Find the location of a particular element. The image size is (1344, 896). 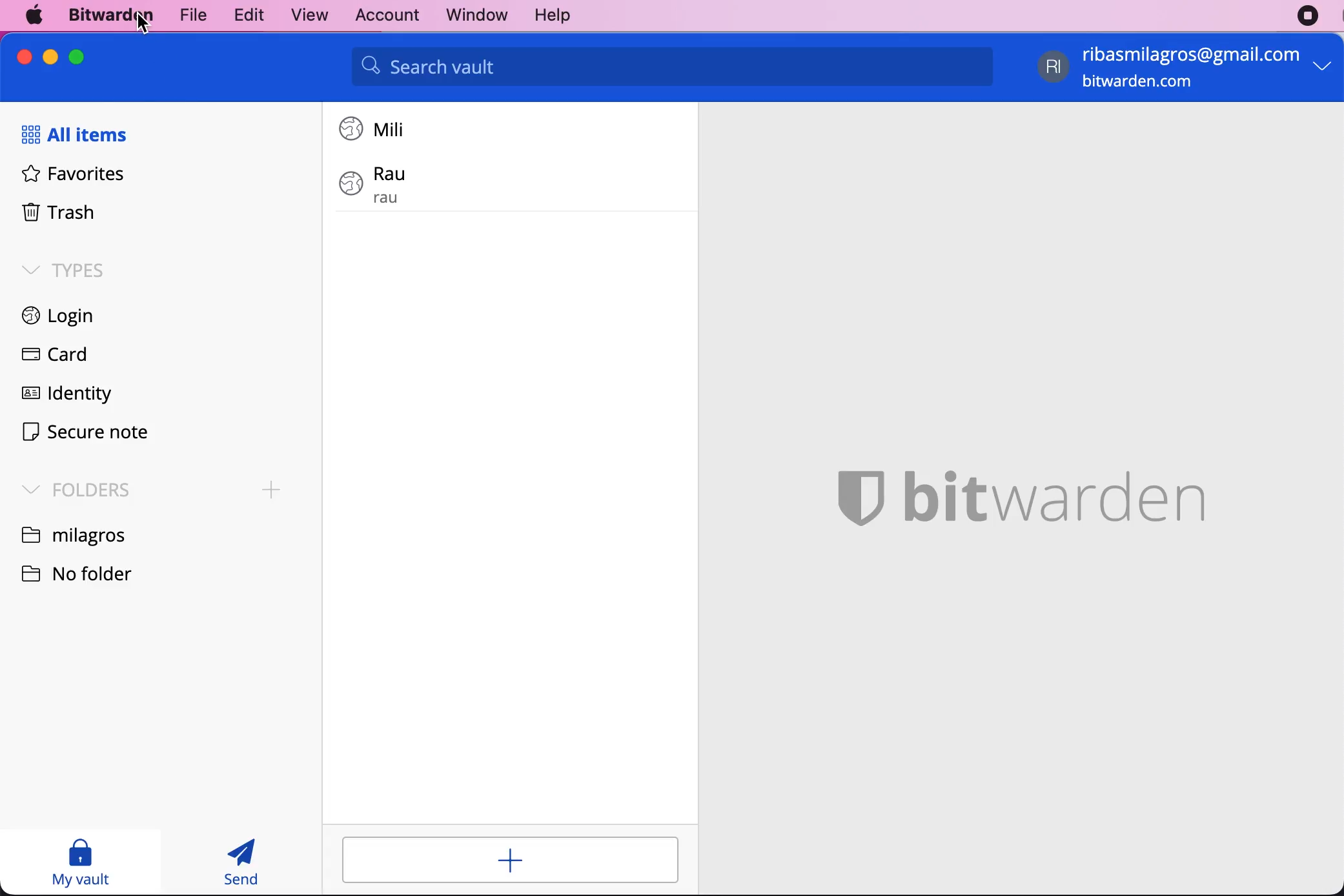

view is located at coordinates (303, 15).